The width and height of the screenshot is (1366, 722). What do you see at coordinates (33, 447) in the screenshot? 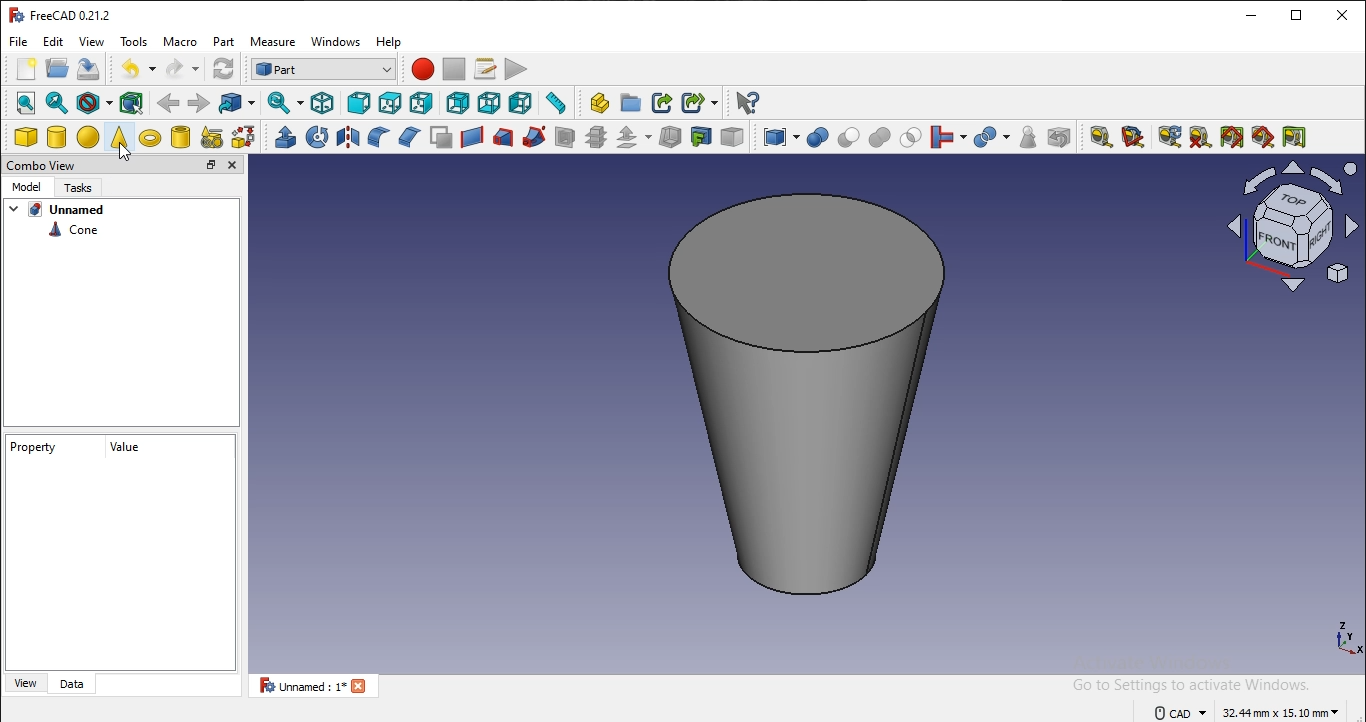
I see `property` at bounding box center [33, 447].